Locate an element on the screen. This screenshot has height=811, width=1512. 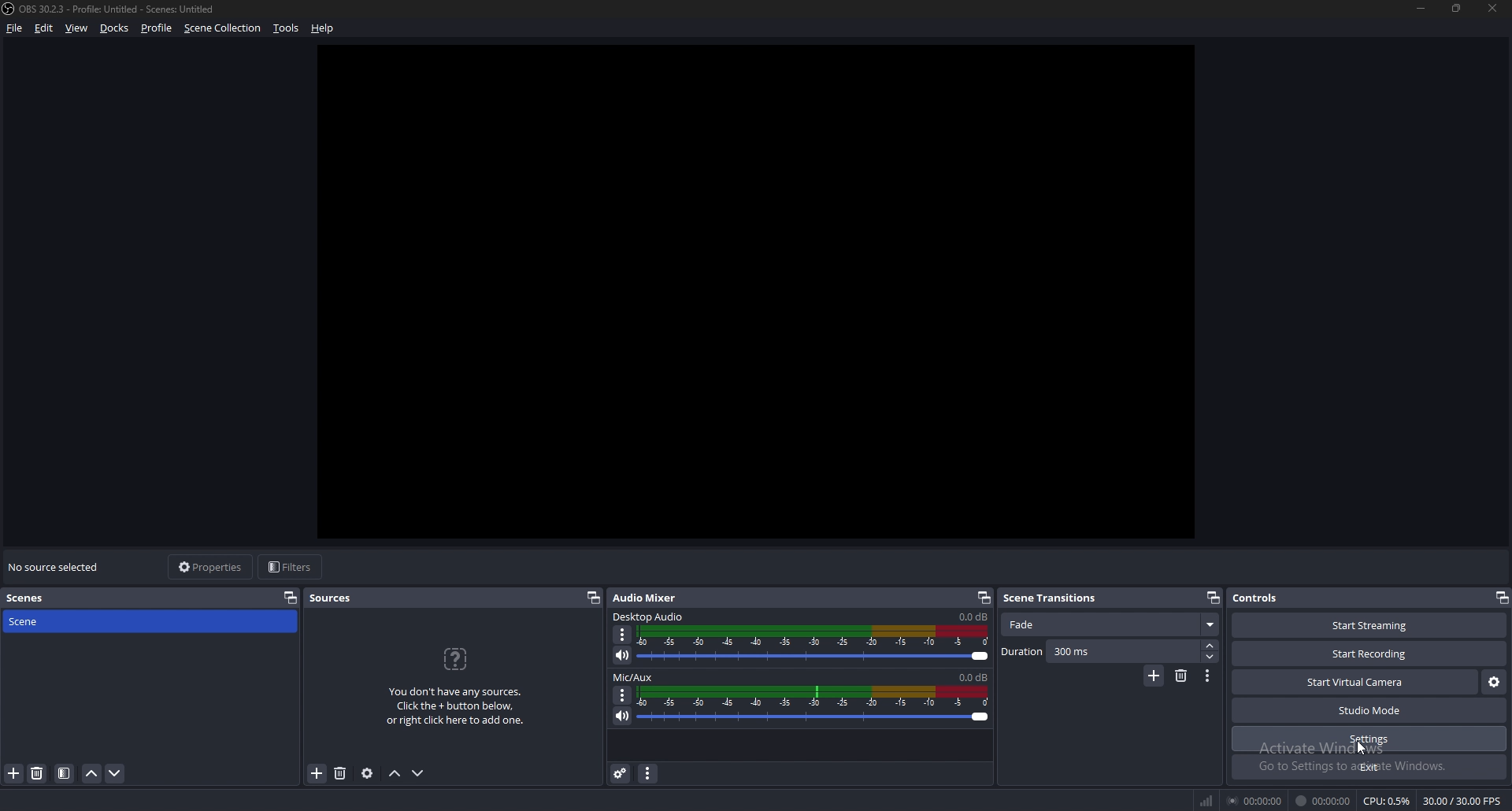
settings is located at coordinates (1369, 739).